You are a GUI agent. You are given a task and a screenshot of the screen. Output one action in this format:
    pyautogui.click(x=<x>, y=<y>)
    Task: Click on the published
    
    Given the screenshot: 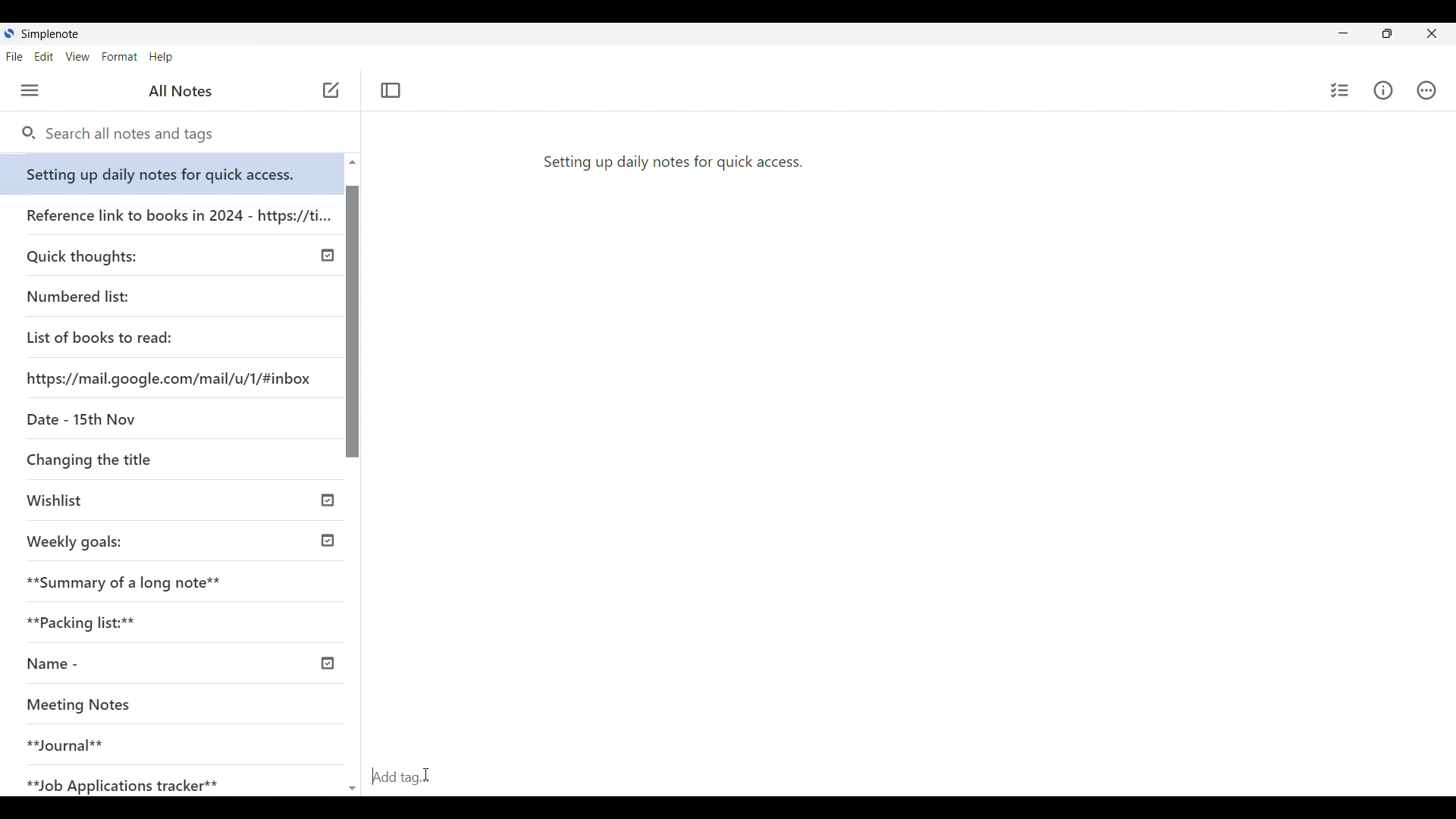 What is the action you would take?
    pyautogui.click(x=326, y=664)
    